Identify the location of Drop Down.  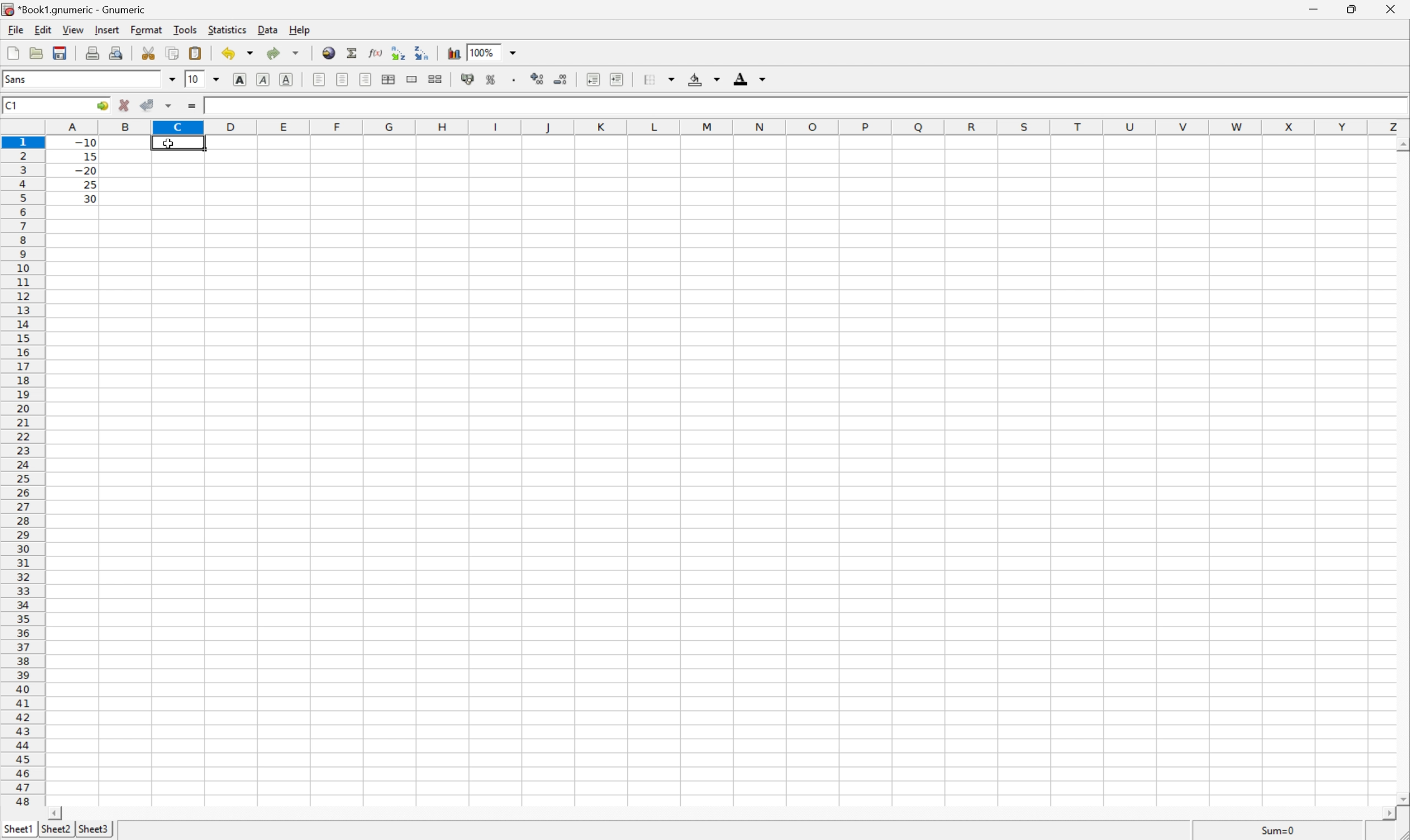
(674, 77).